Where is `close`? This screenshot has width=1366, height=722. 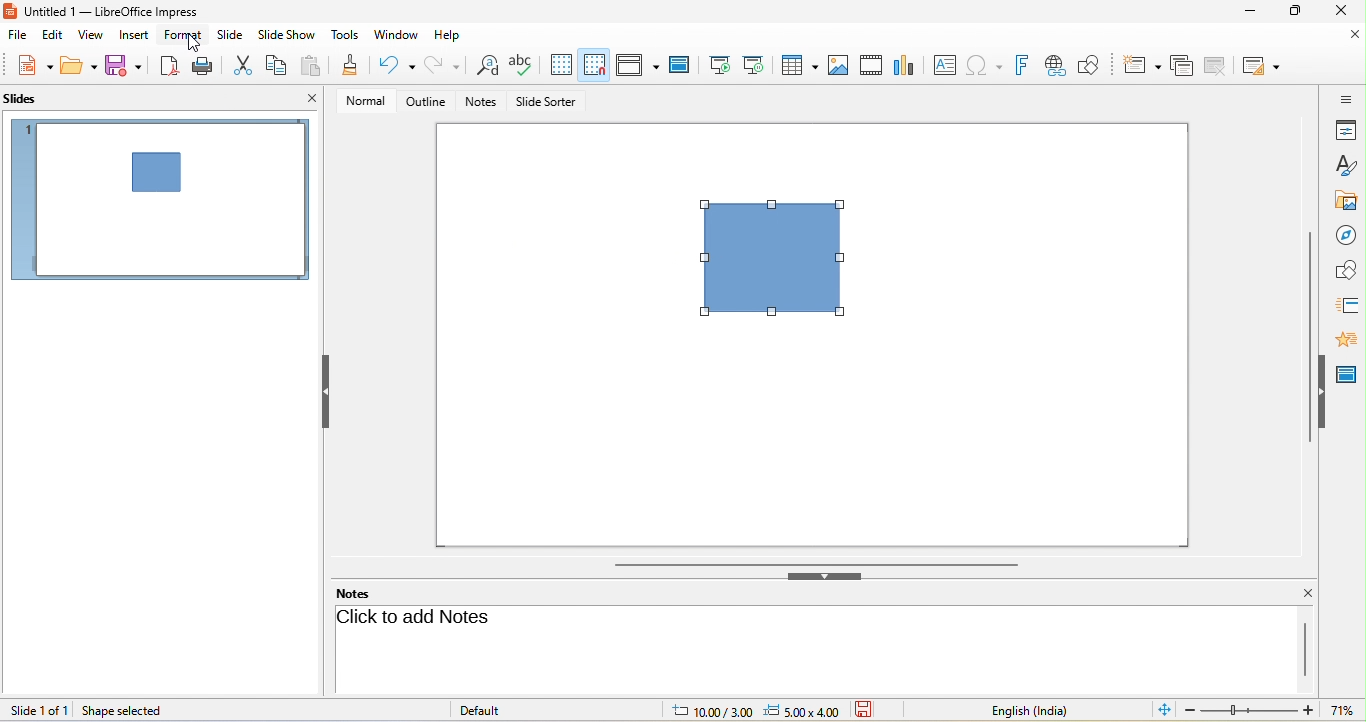
close is located at coordinates (1299, 593).